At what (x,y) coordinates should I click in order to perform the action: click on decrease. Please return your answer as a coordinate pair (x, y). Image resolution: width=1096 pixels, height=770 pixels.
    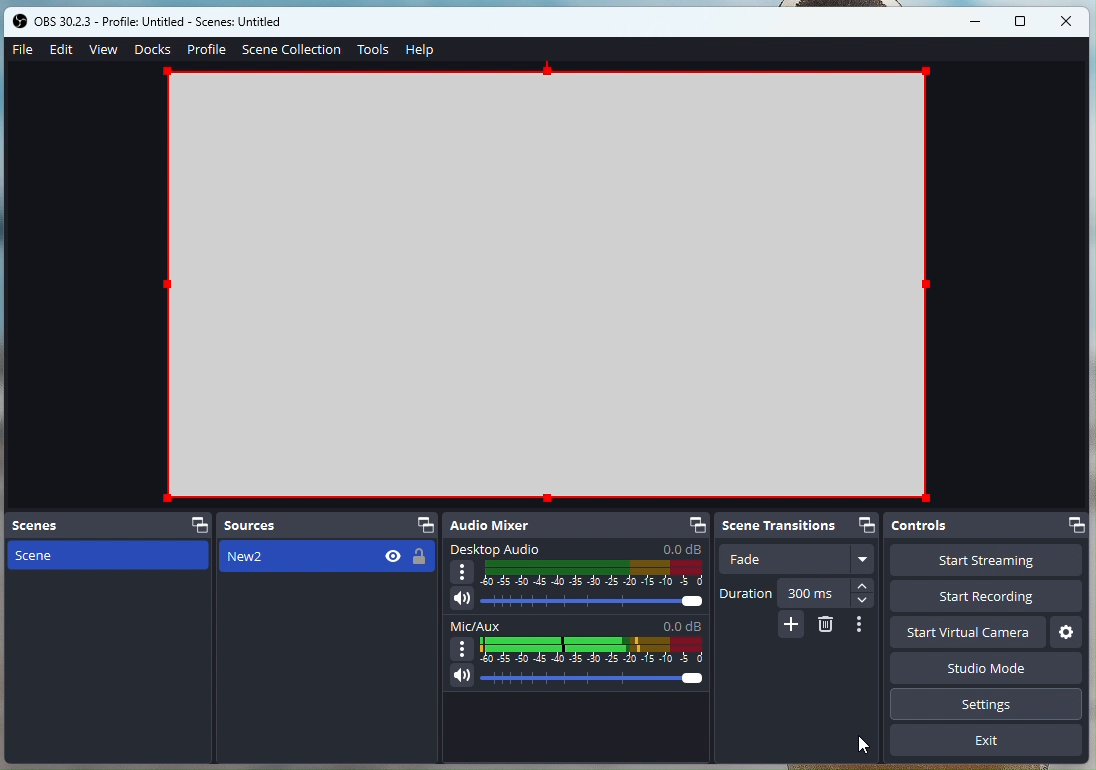
    Looking at the image, I should click on (862, 601).